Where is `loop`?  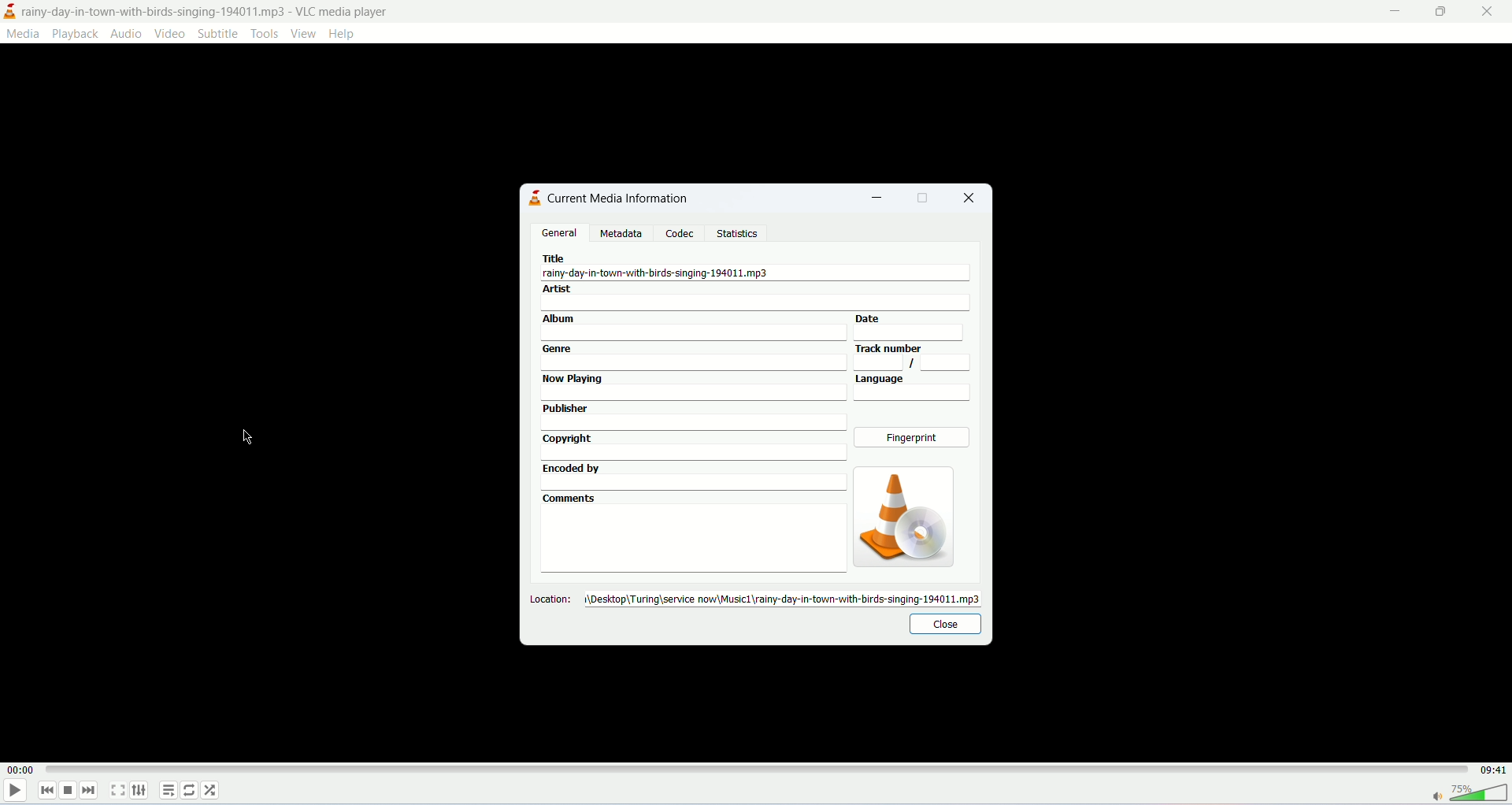 loop is located at coordinates (191, 789).